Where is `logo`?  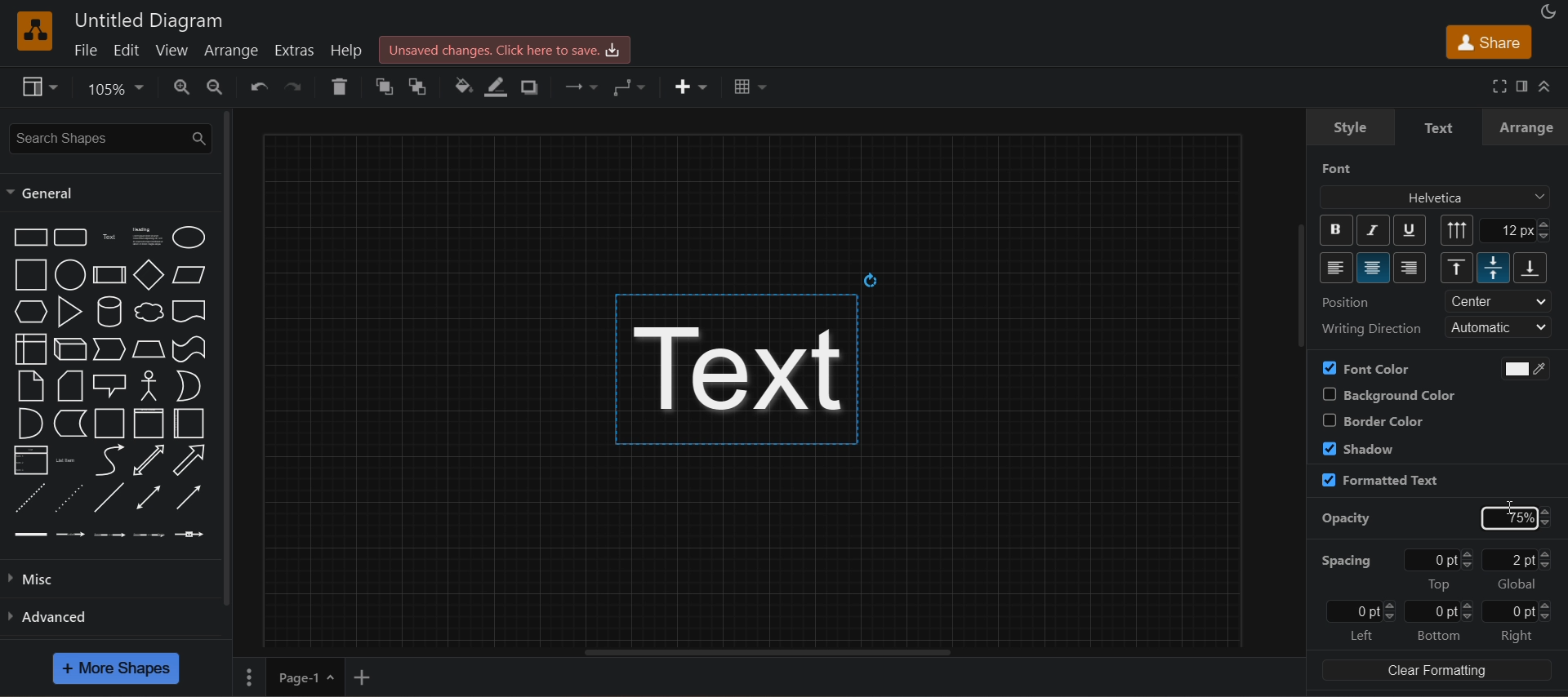
logo is located at coordinates (36, 31).